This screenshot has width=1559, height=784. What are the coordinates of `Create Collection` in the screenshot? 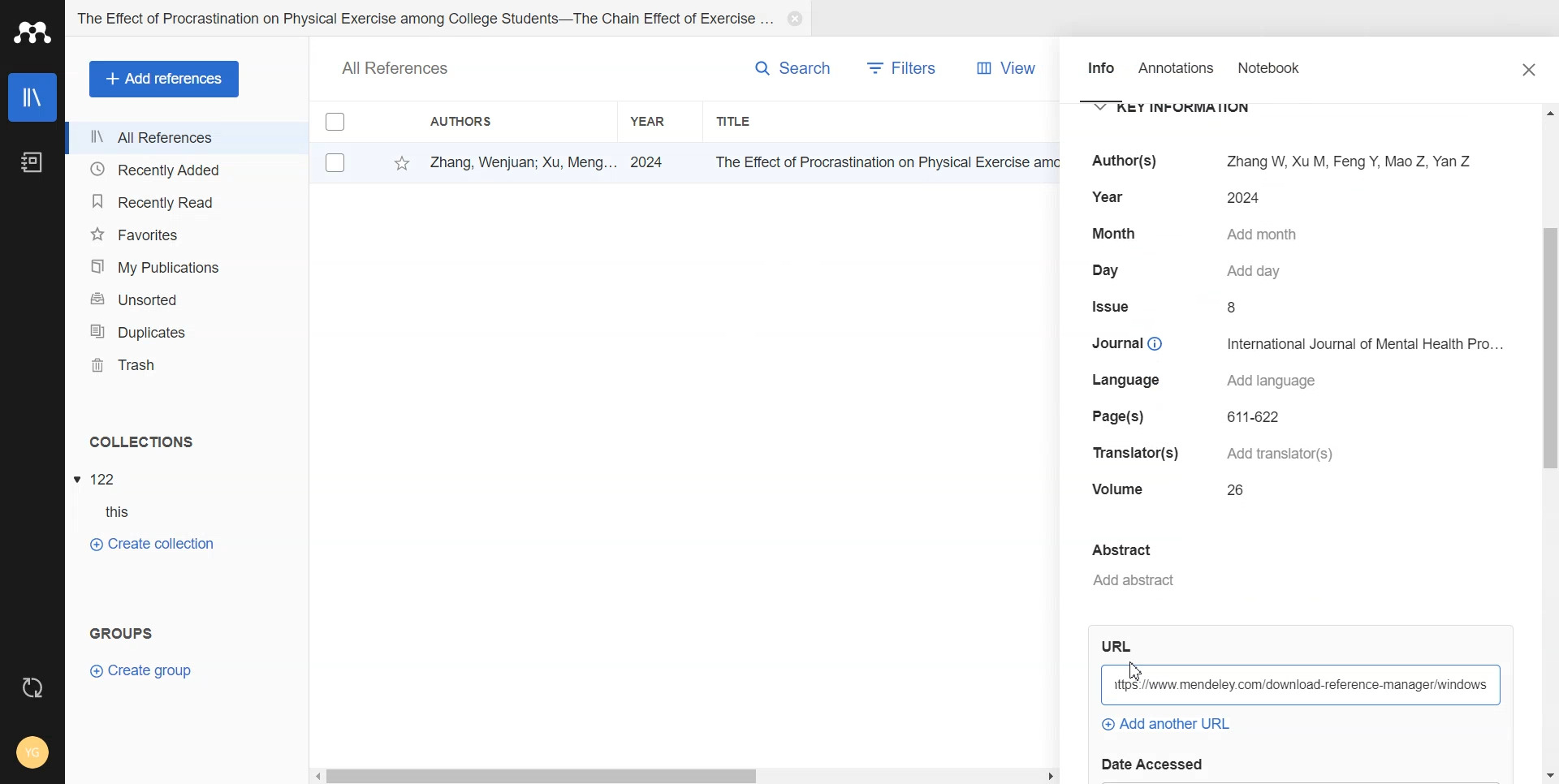 It's located at (152, 544).